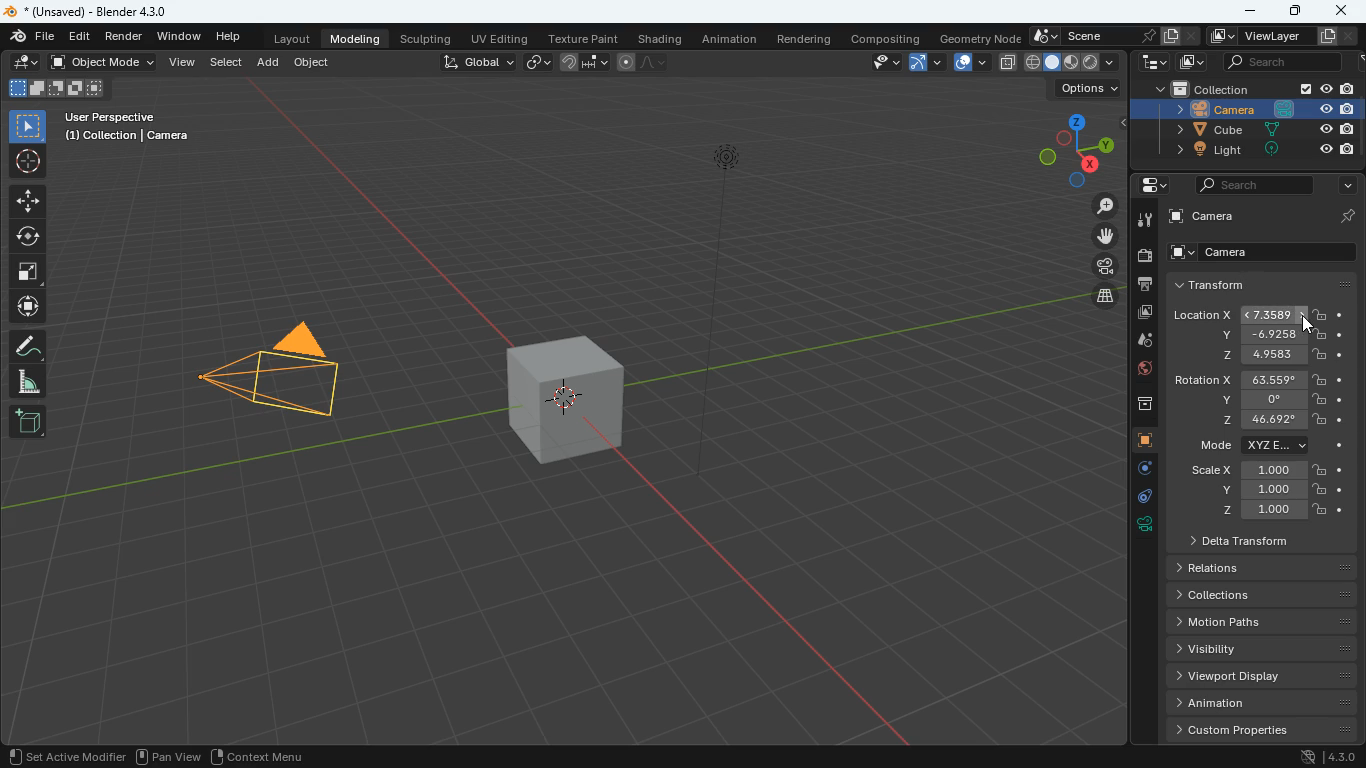 This screenshot has height=768, width=1366. What do you see at coordinates (183, 65) in the screenshot?
I see `view` at bounding box center [183, 65].